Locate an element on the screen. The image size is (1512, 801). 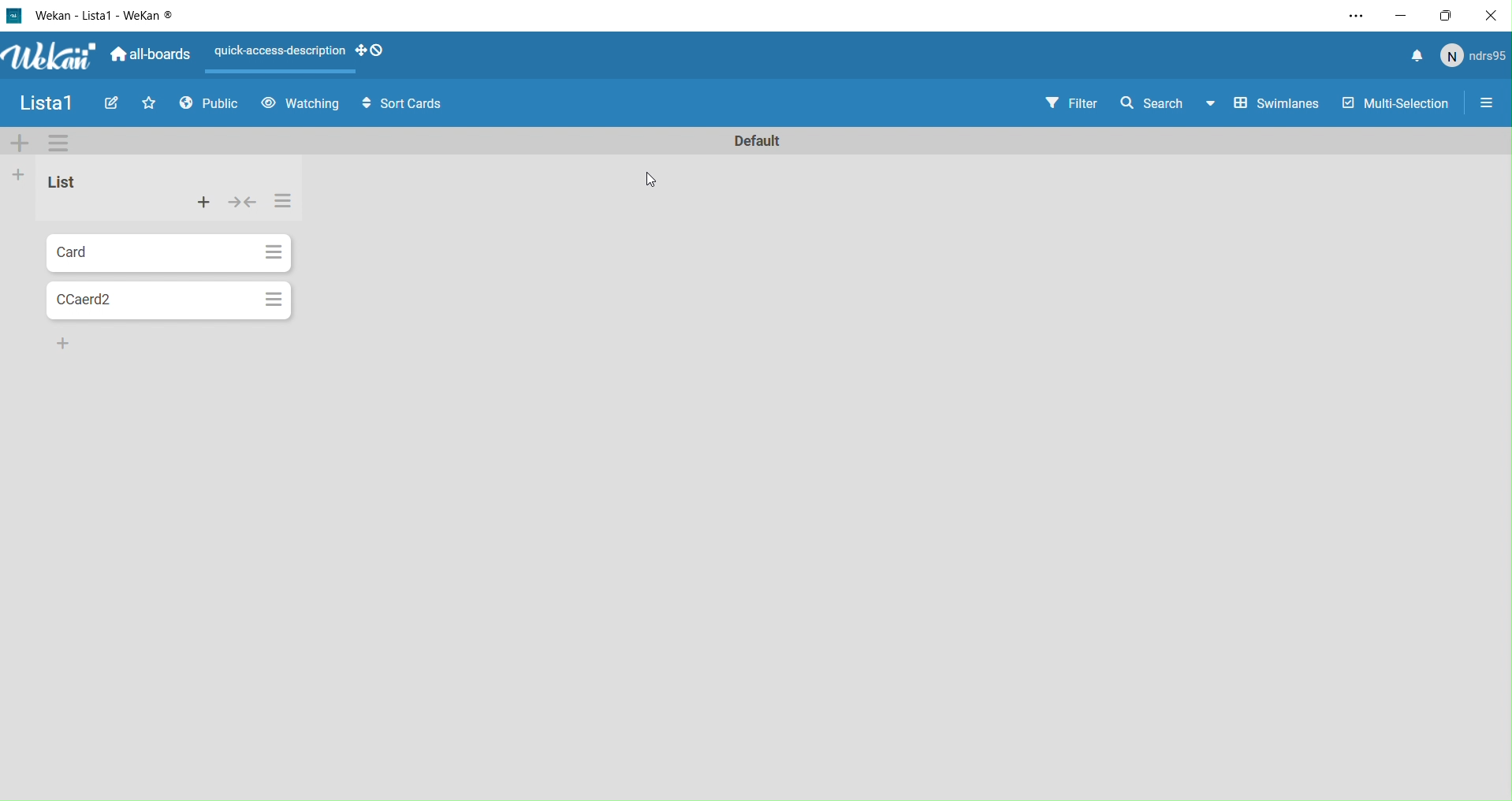
Name is located at coordinates (43, 103).